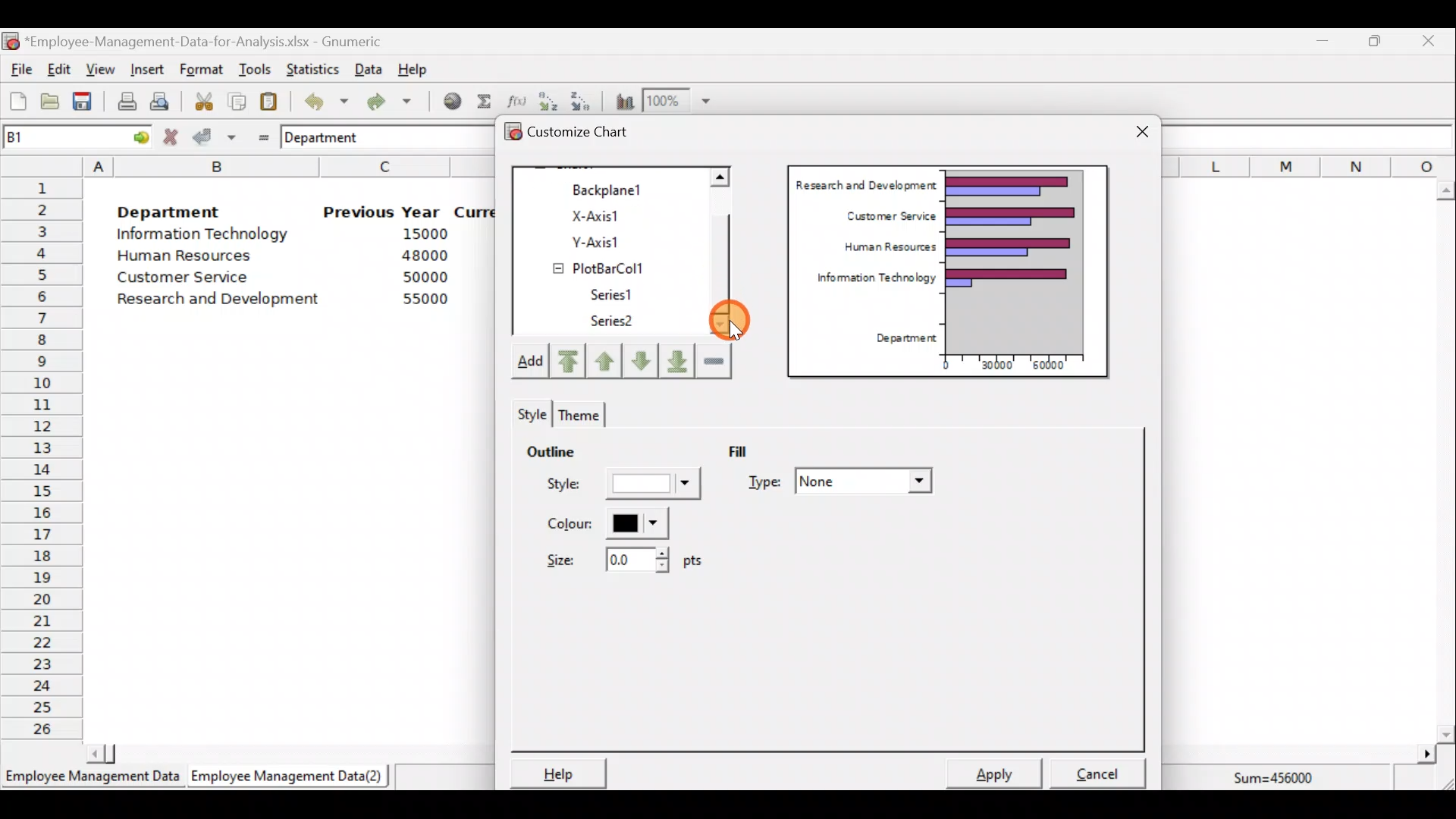 The image size is (1456, 819). Describe the element at coordinates (865, 183) in the screenshot. I see `Research and Development` at that location.